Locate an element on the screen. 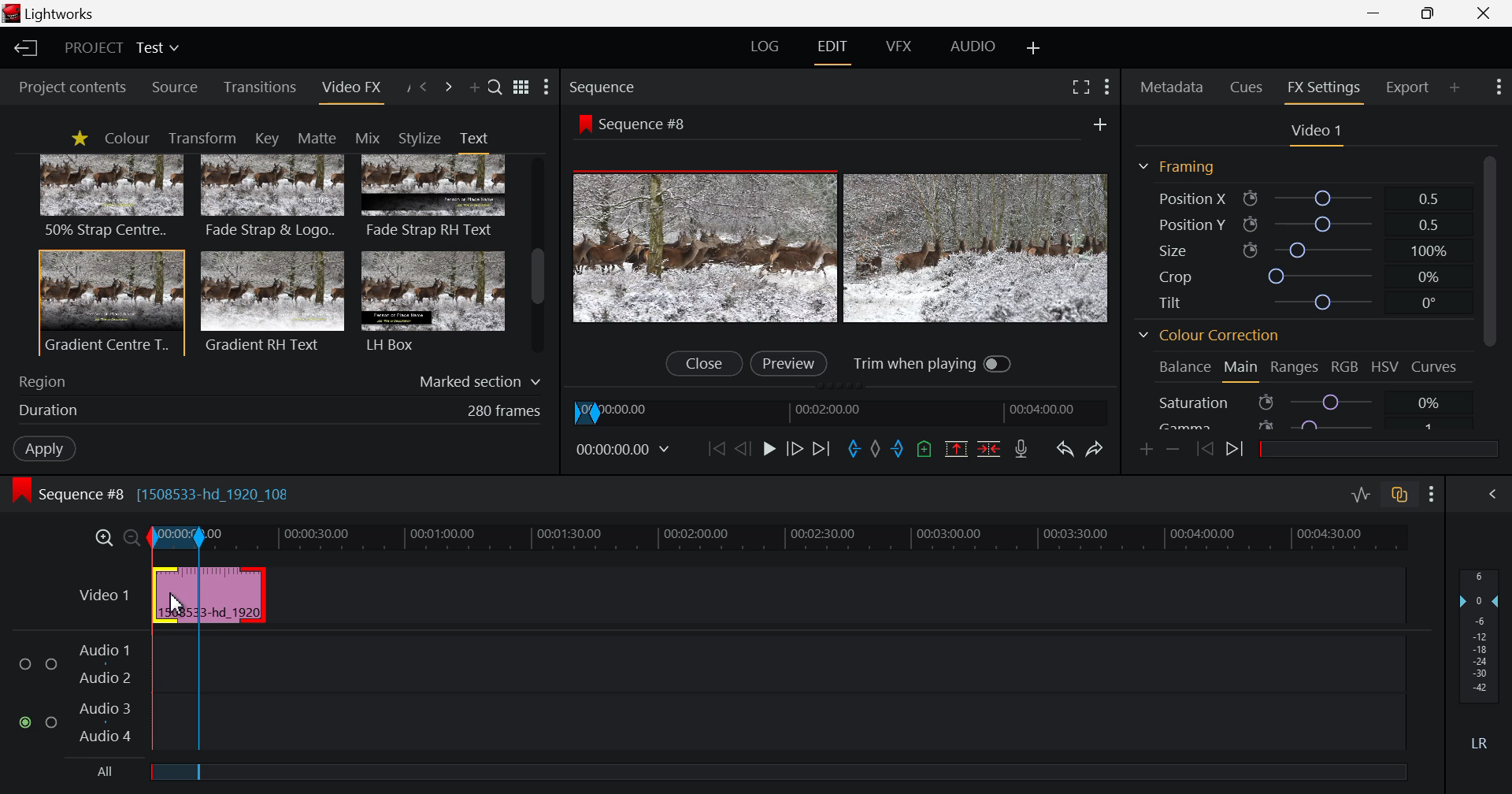 The width and height of the screenshot is (1512, 794). Saturation is located at coordinates (1298, 402).